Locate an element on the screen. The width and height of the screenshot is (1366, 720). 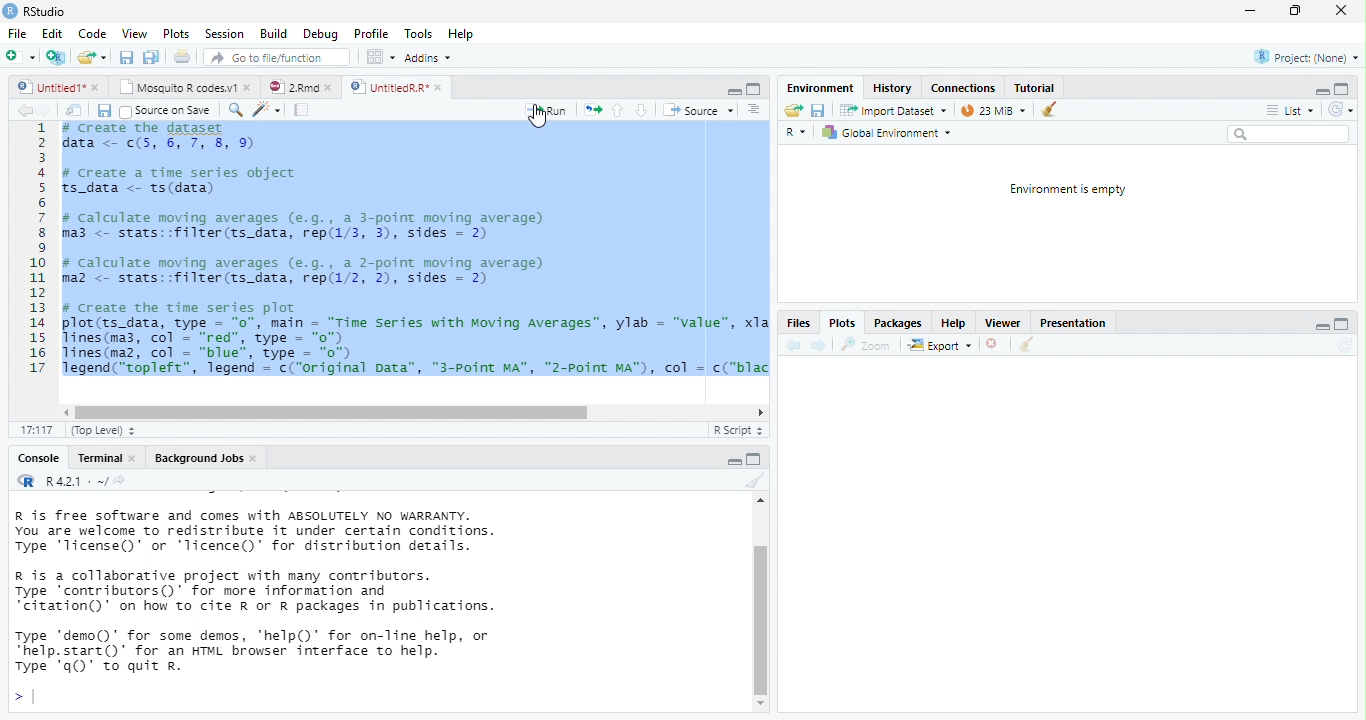
next is located at coordinates (48, 111).